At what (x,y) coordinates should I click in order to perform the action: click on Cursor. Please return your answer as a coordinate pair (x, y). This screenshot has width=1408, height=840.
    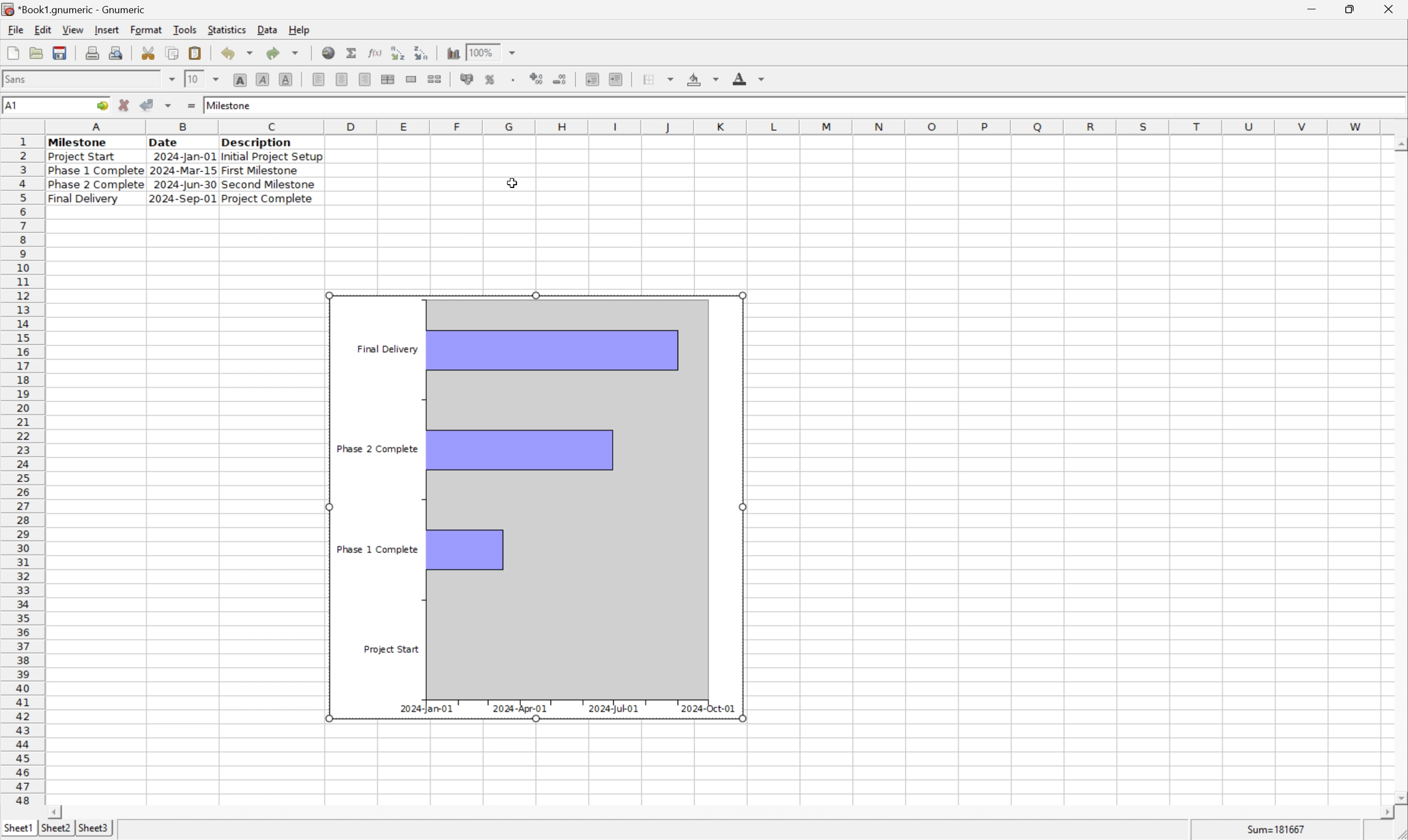
    Looking at the image, I should click on (509, 182).